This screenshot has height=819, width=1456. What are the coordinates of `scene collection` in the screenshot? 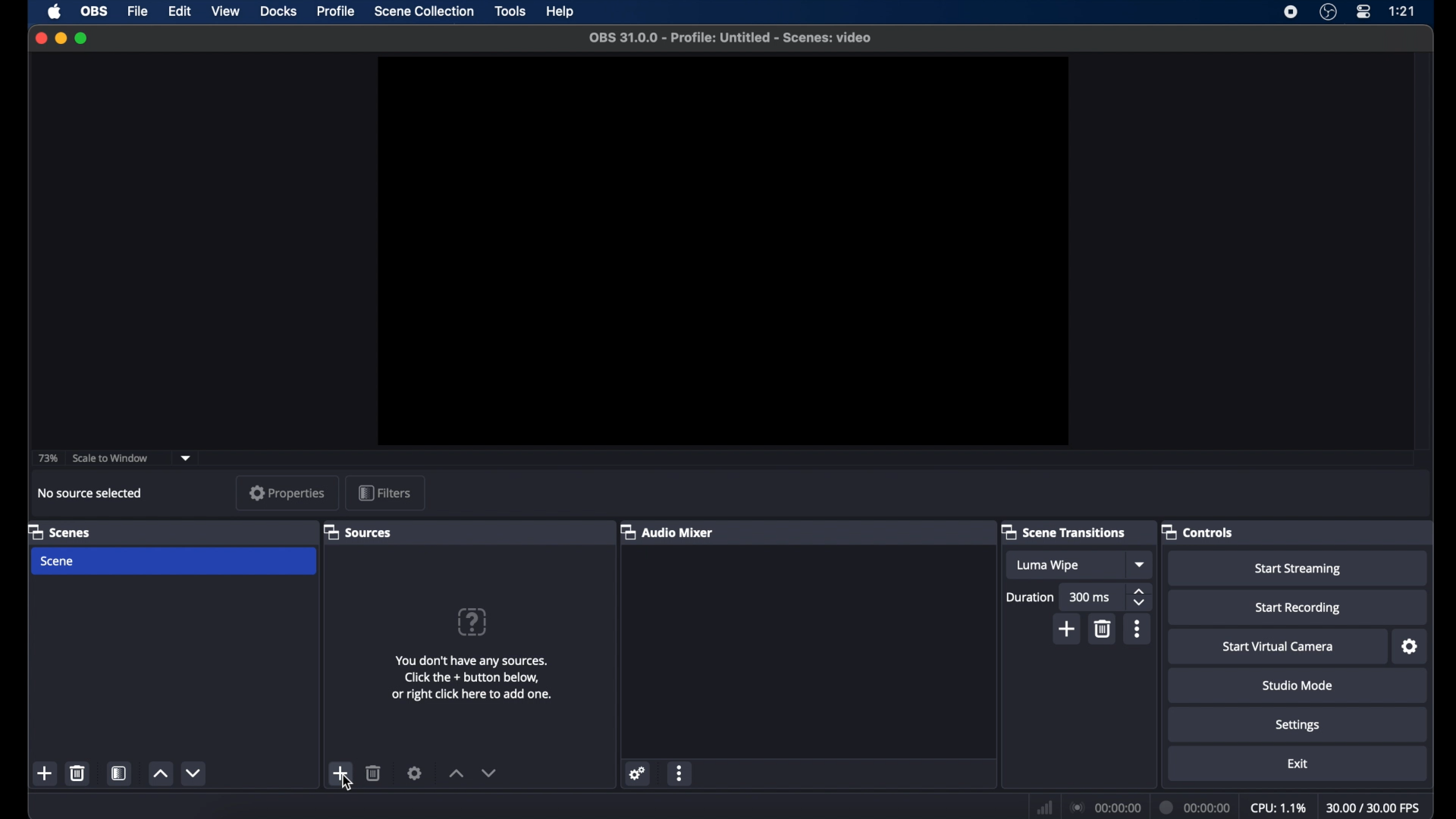 It's located at (422, 11).